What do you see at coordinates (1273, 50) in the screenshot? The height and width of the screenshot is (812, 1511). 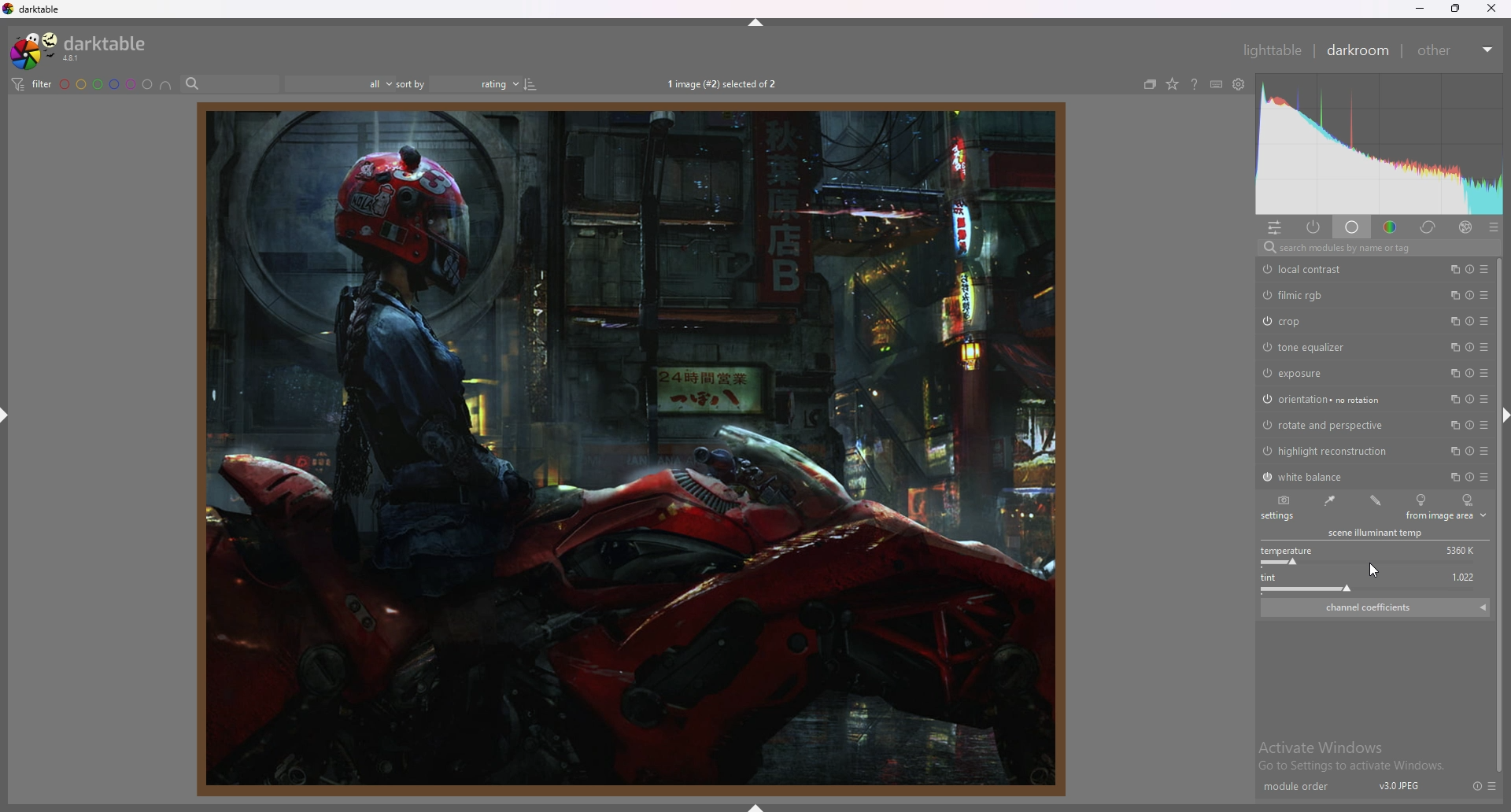 I see `lighttable` at bounding box center [1273, 50].